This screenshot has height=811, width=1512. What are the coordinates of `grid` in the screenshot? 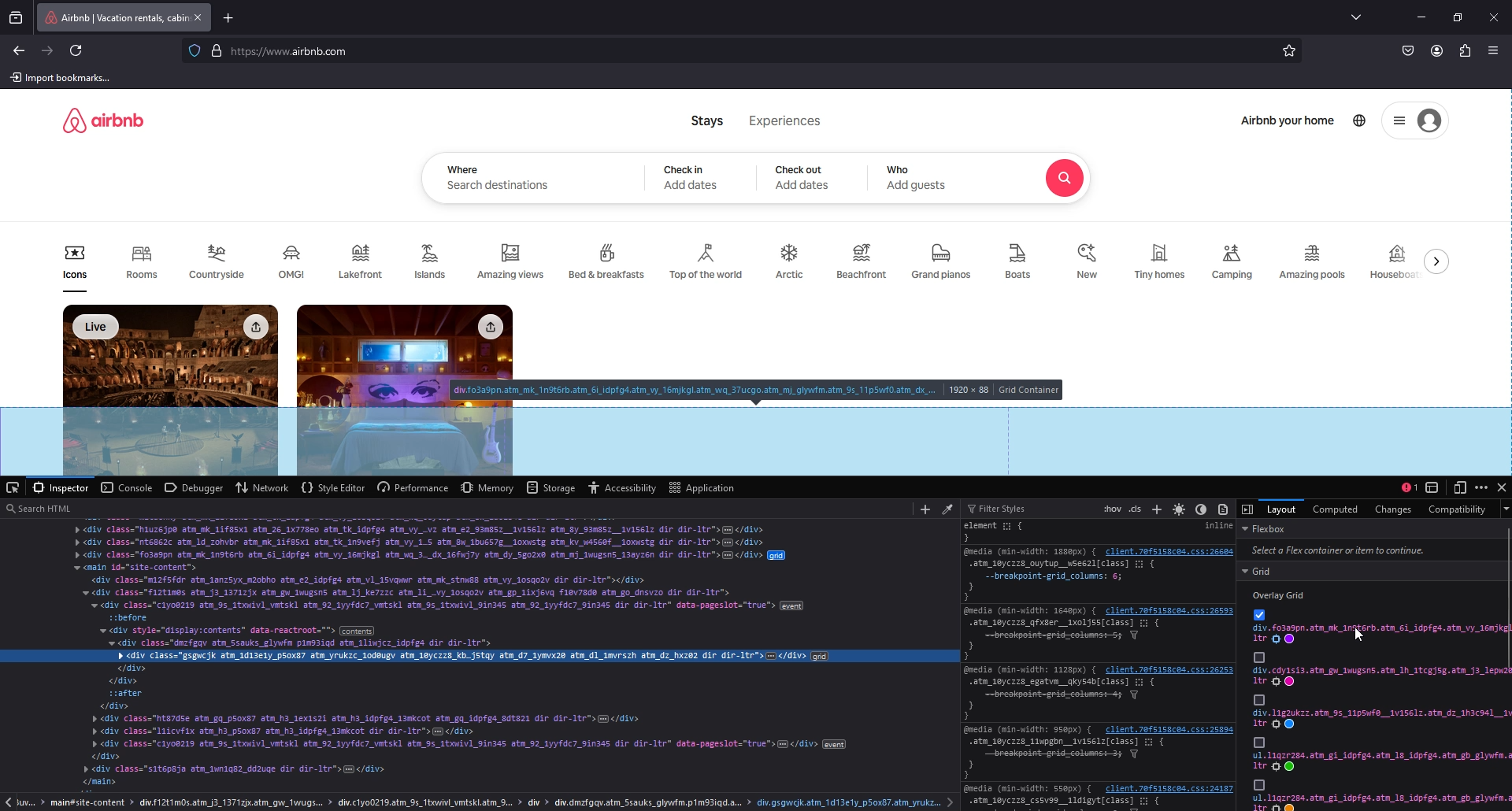 It's located at (1376, 571).